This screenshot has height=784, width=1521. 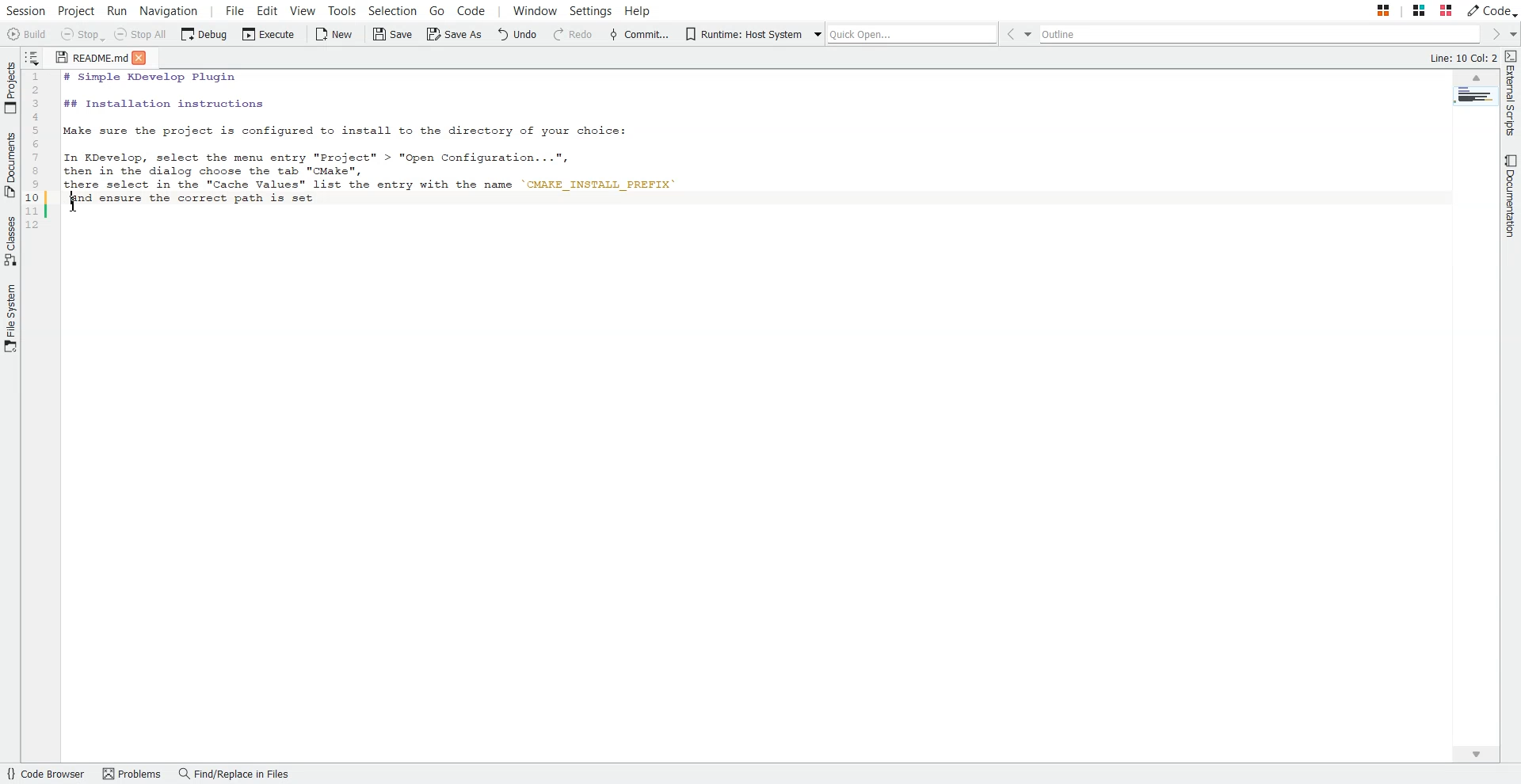 I want to click on Navigation, so click(x=169, y=10).